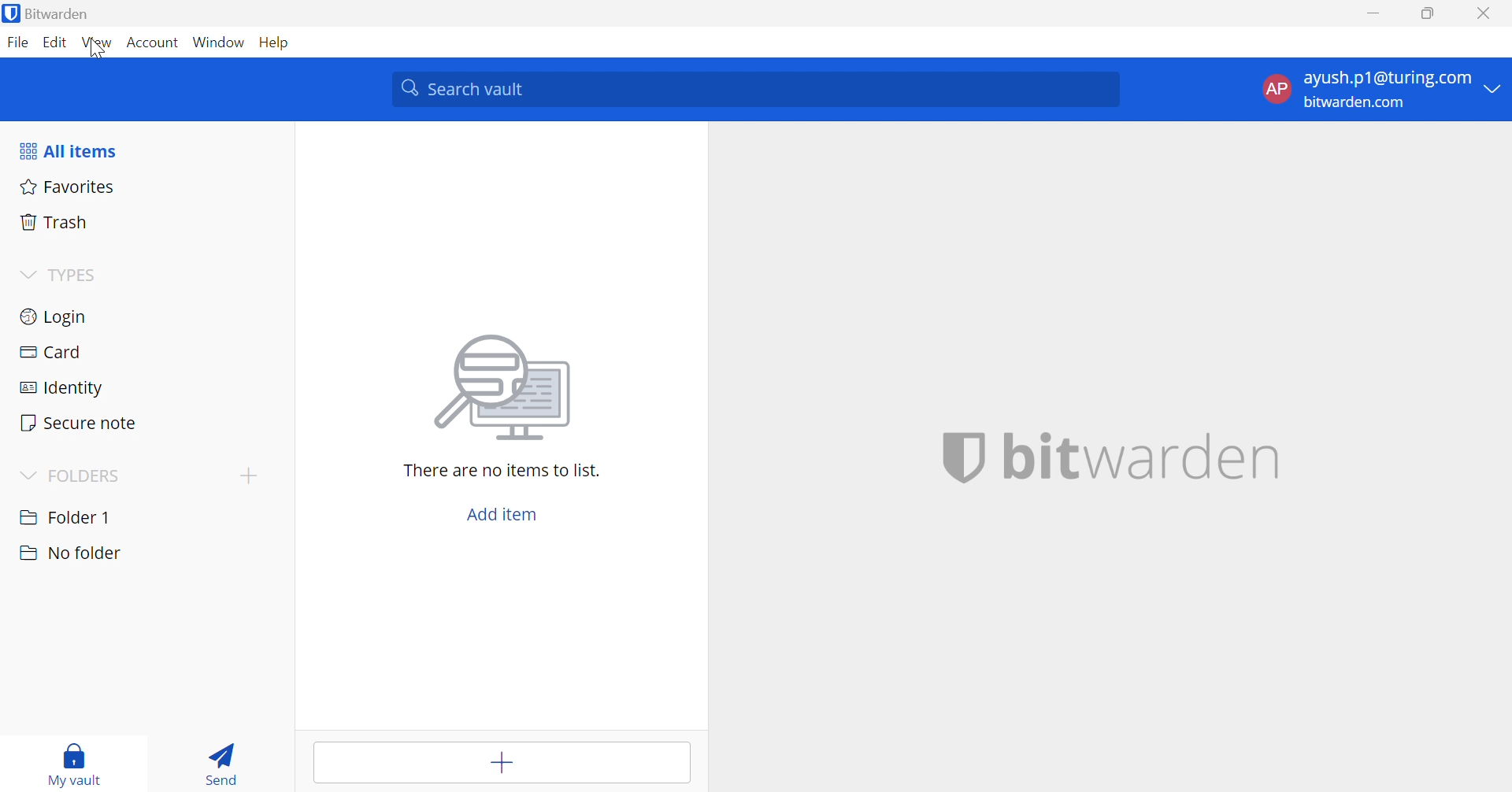 This screenshot has height=792, width=1512. Describe the element at coordinates (70, 187) in the screenshot. I see `Favorites` at that location.